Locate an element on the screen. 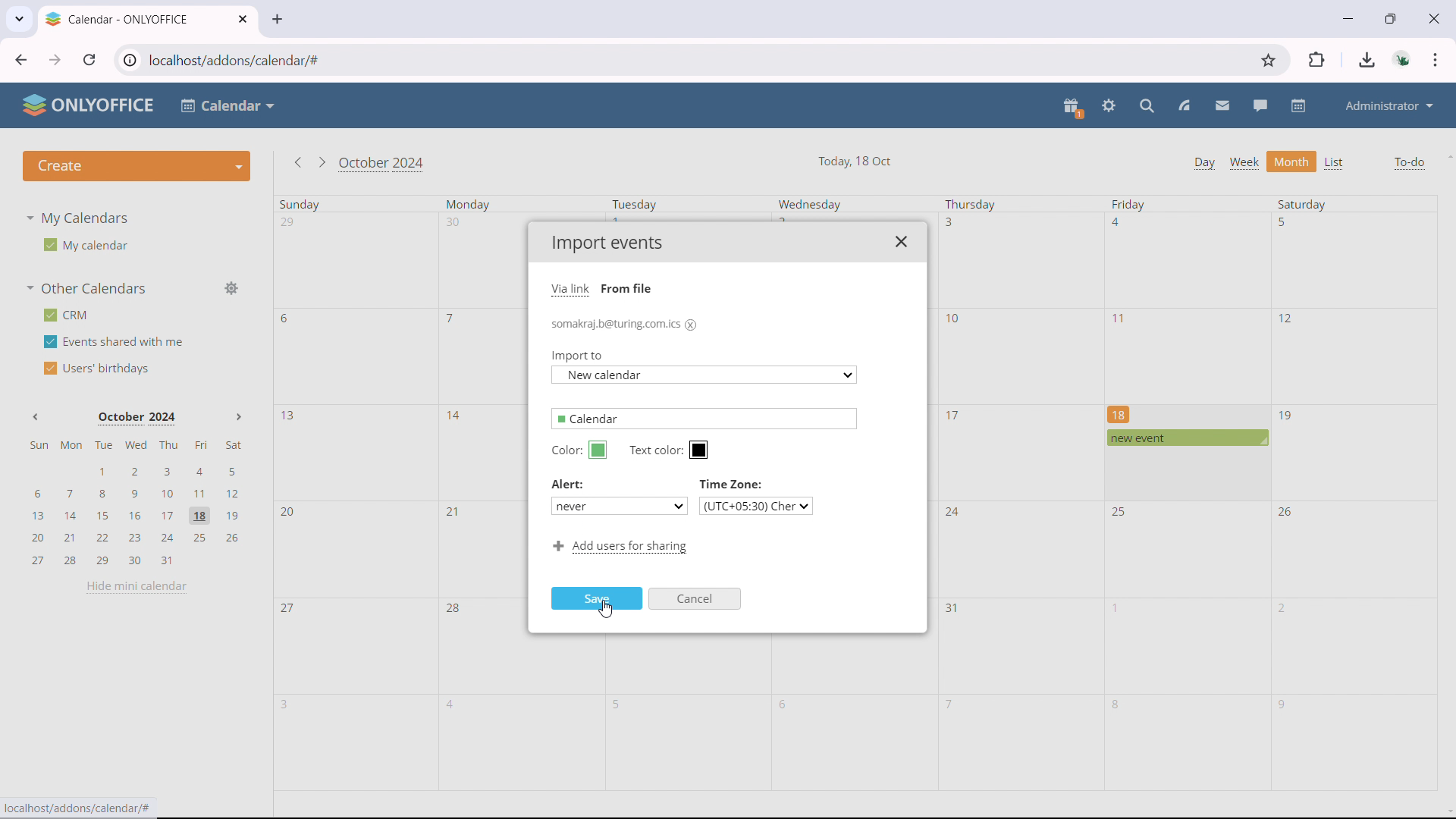  26 is located at coordinates (1287, 510).